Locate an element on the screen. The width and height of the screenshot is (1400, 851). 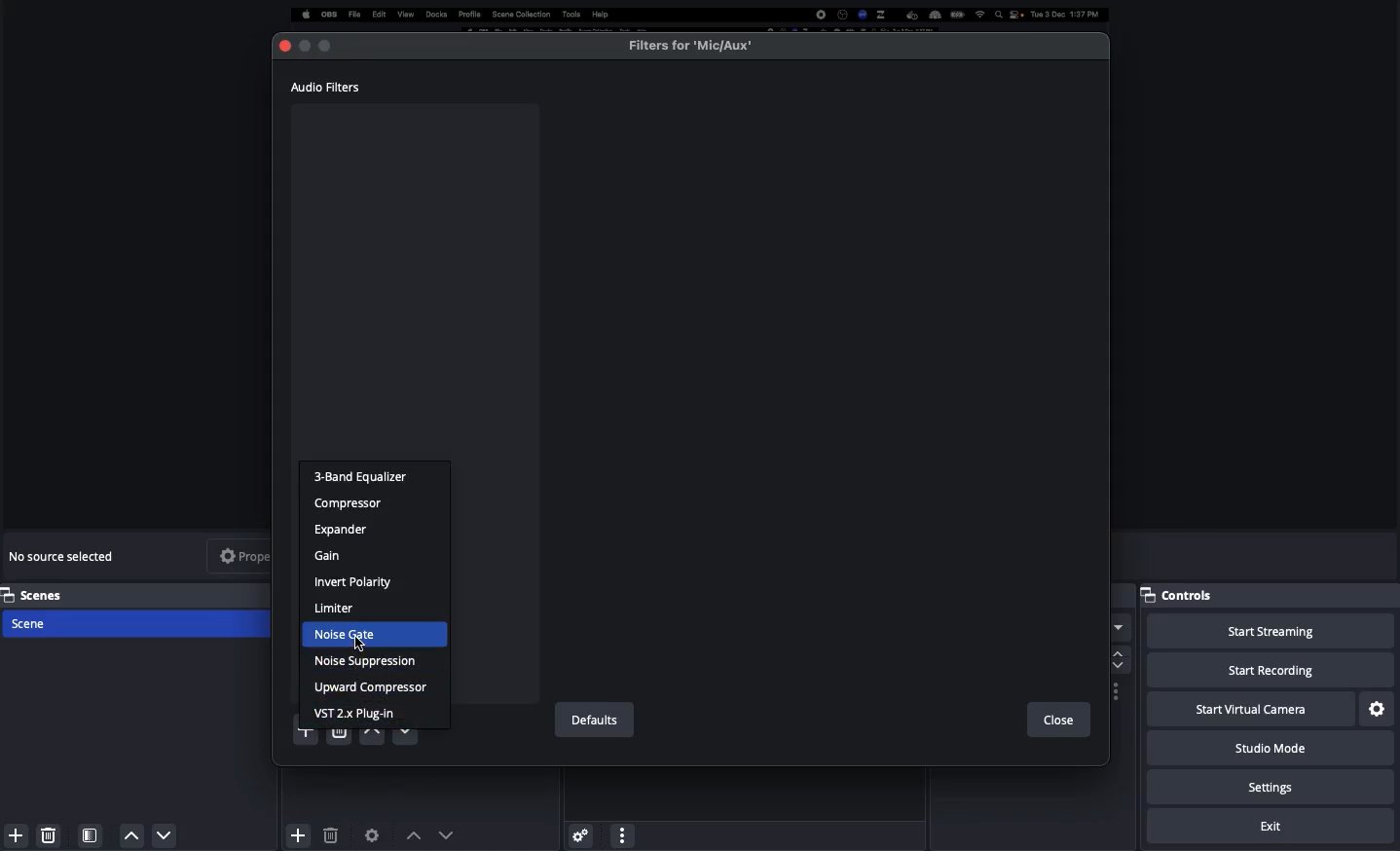
Down is located at coordinates (408, 737).